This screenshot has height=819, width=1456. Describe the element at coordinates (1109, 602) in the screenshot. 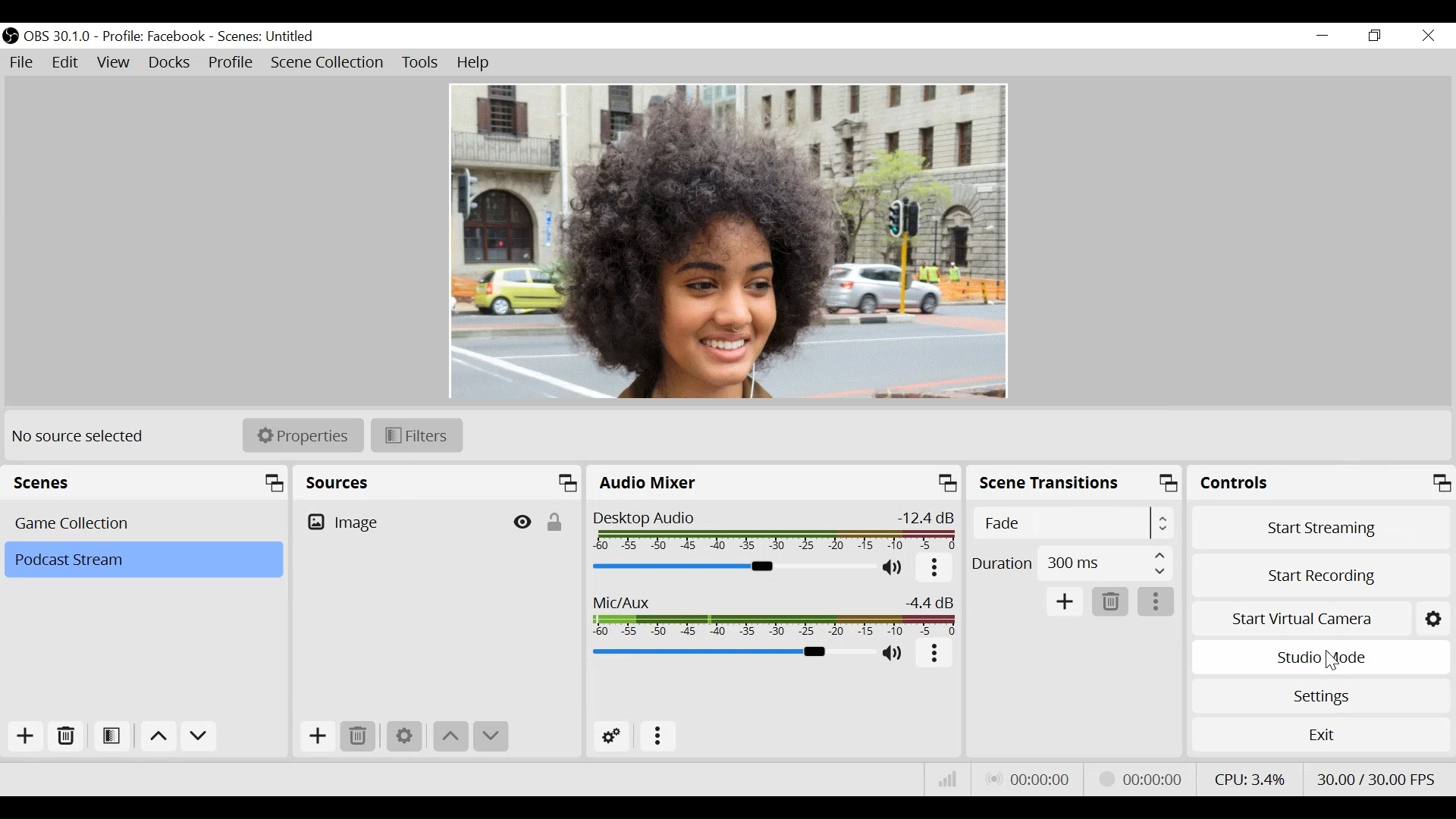

I see `Remove` at that location.